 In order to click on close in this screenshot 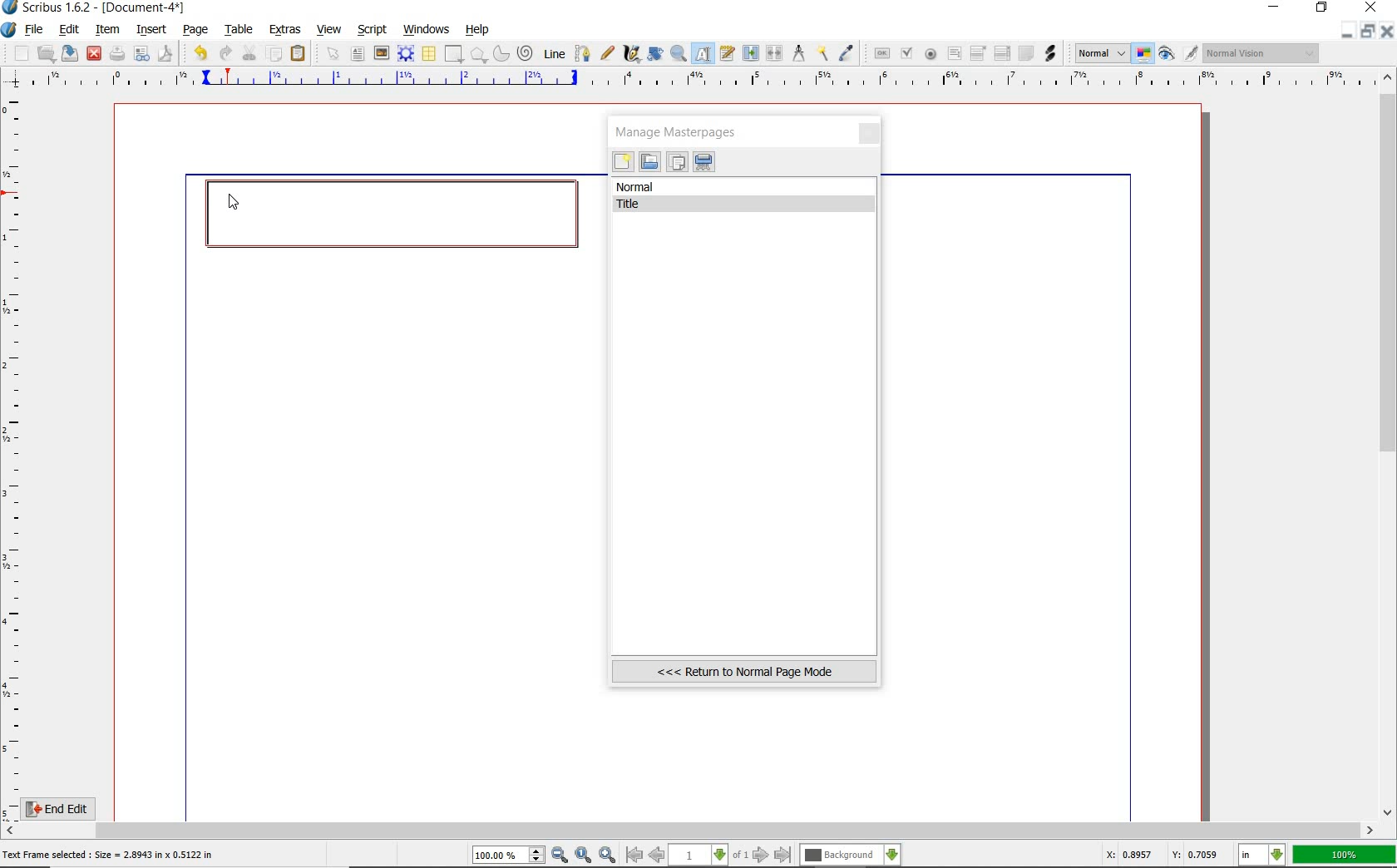, I will do `click(871, 135)`.